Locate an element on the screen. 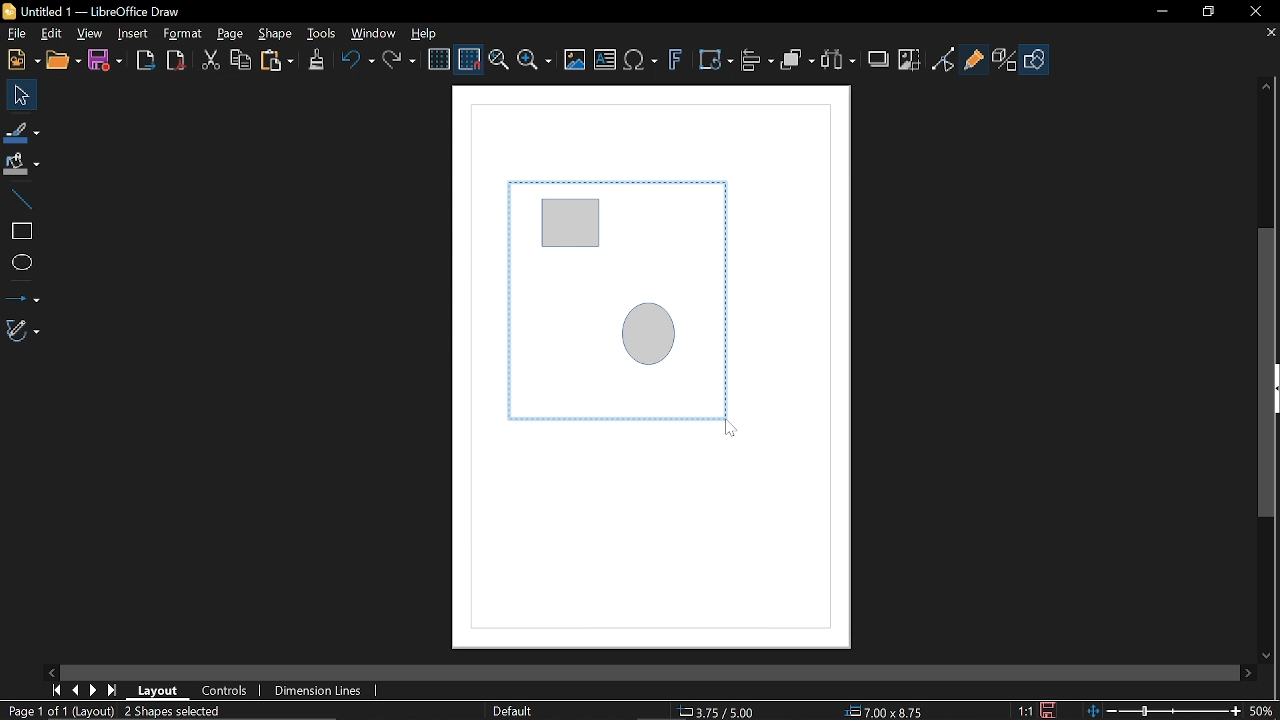 The image size is (1280, 720). Select is located at coordinates (17, 93).